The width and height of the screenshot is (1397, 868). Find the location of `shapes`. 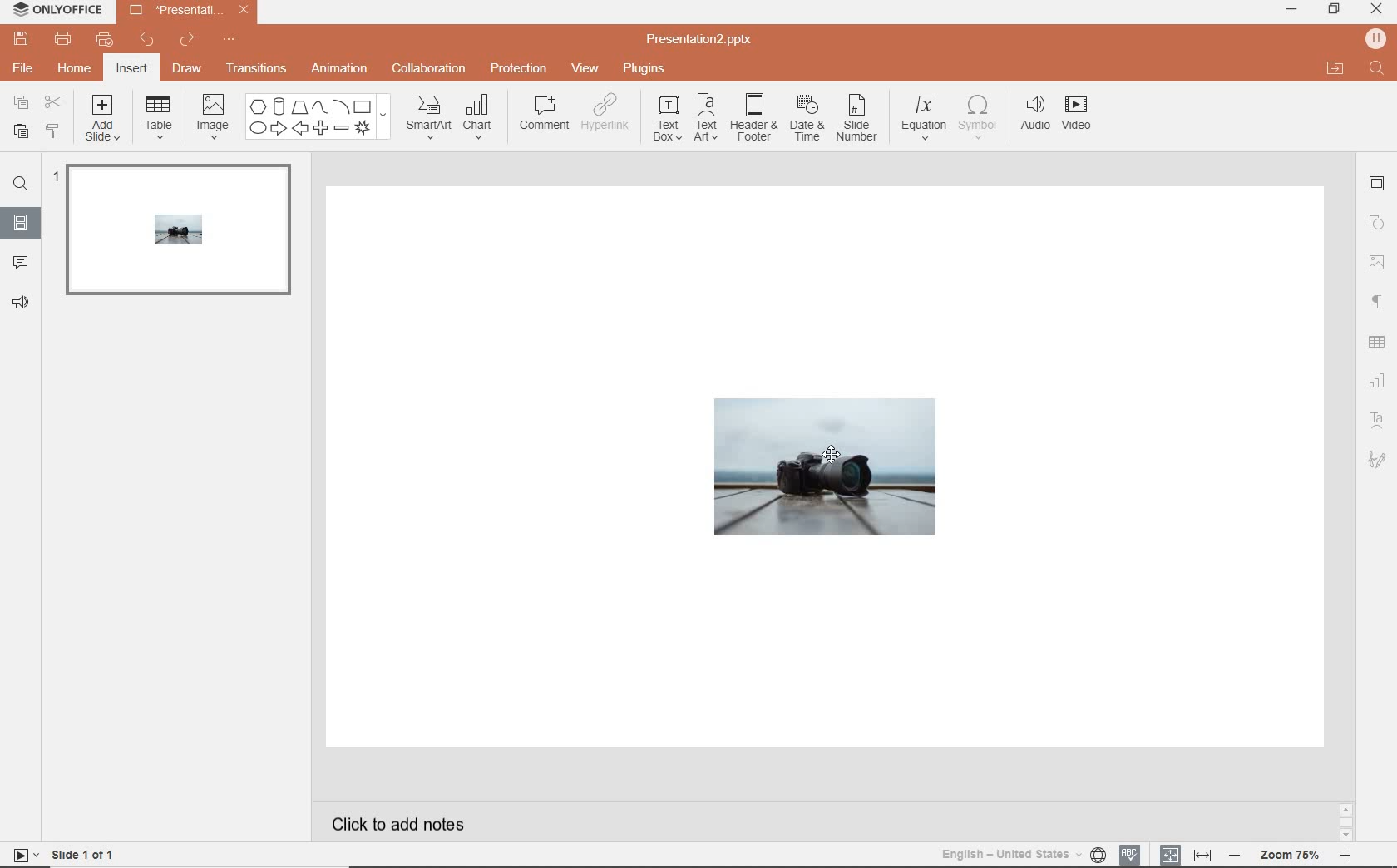

shapes is located at coordinates (316, 117).